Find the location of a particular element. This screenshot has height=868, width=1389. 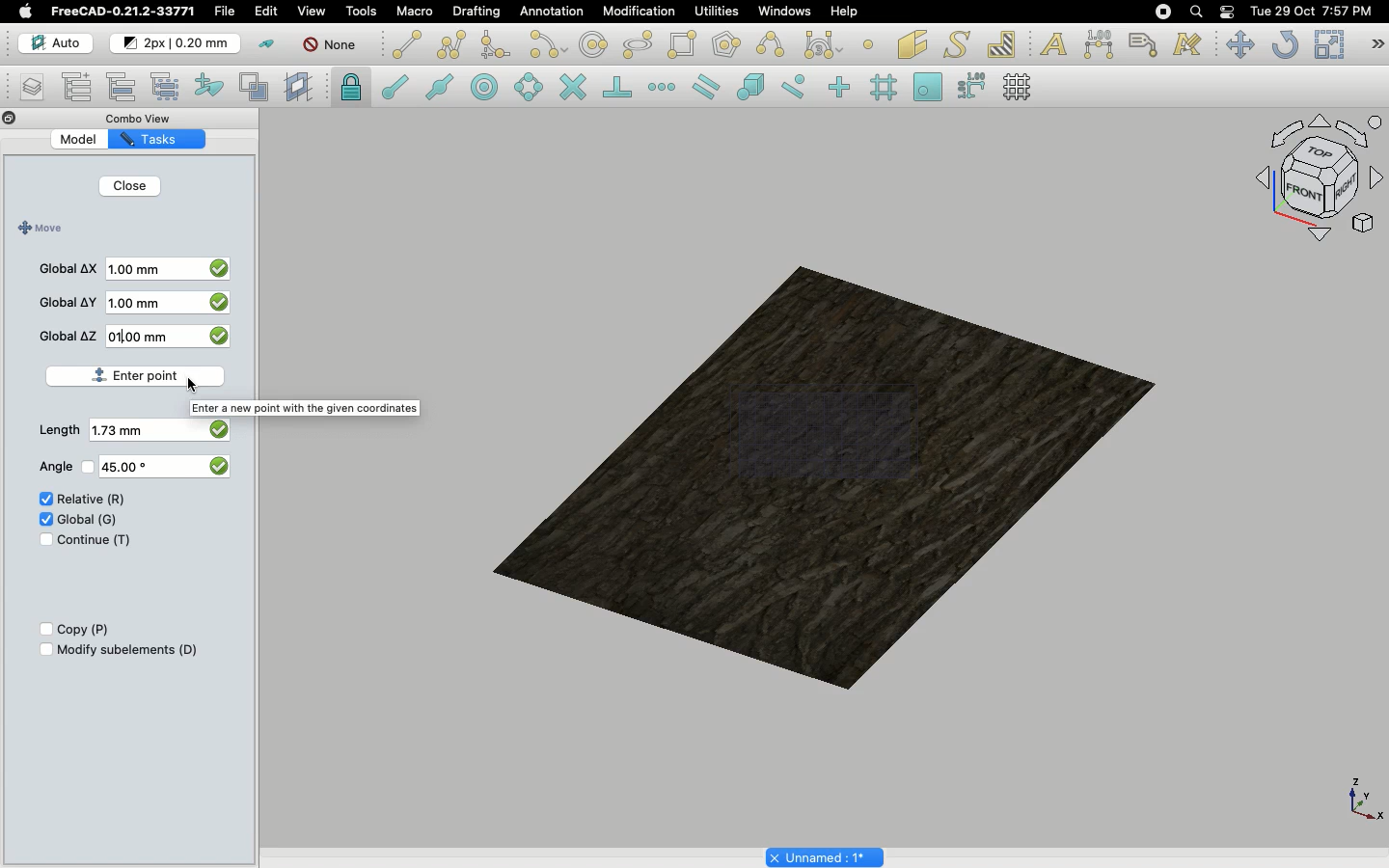

Enter a new point with the given coordinates  is located at coordinates (313, 409).